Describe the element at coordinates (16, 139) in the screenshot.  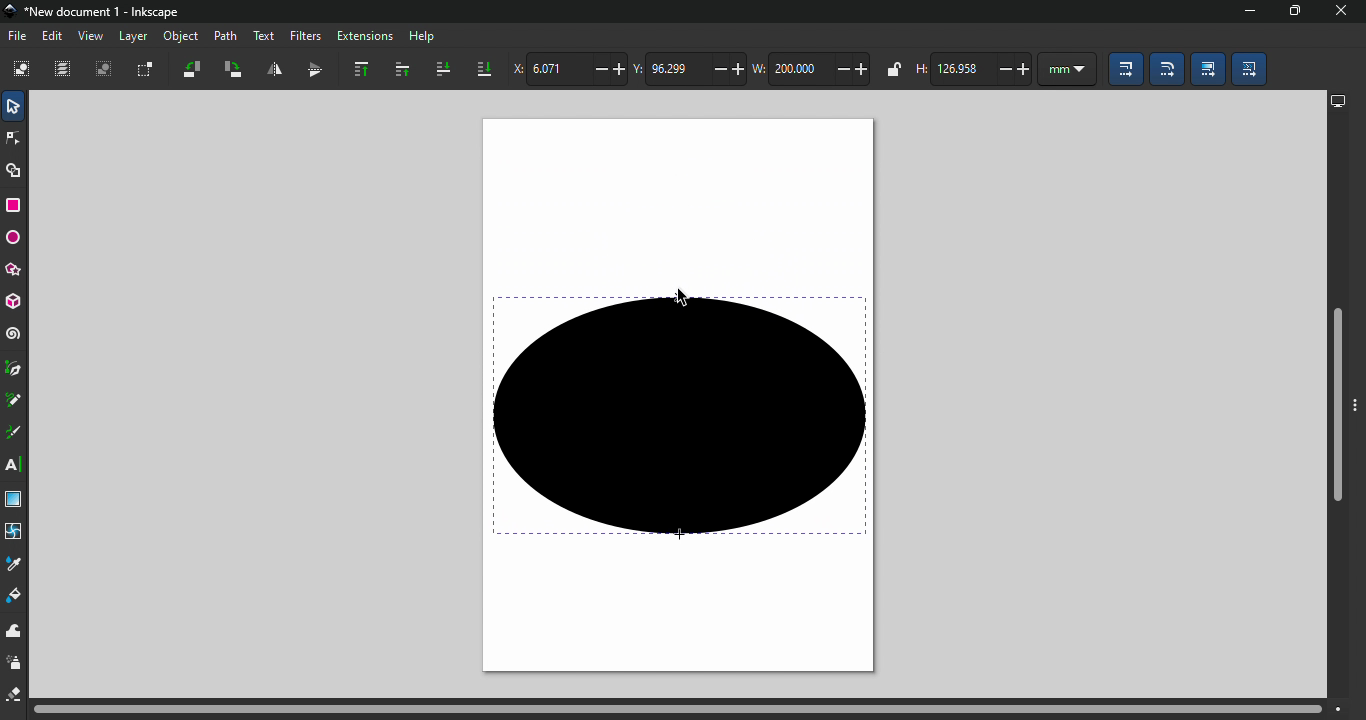
I see `Node tool` at that location.